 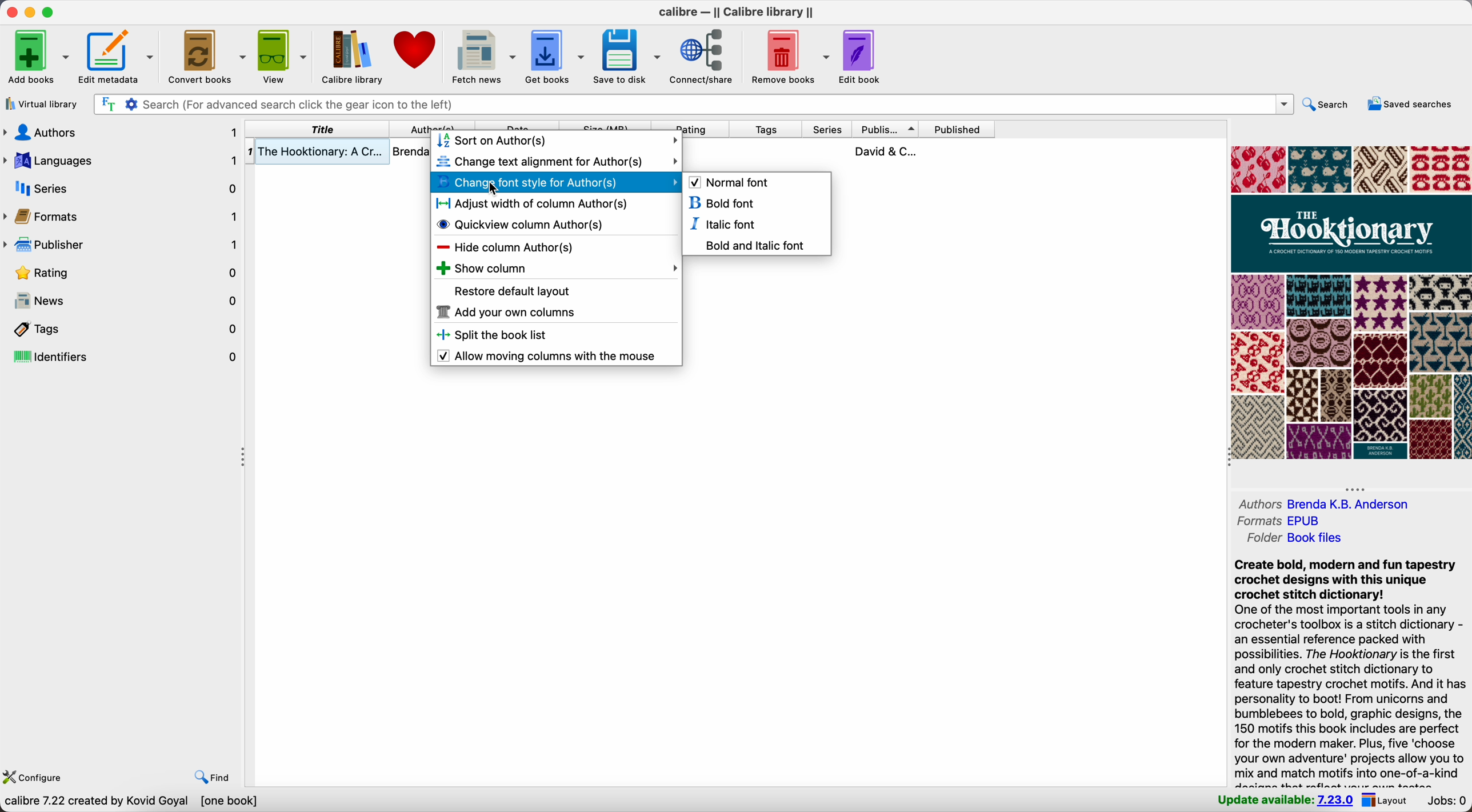 What do you see at coordinates (741, 13) in the screenshot?
I see `Calibre` at bounding box center [741, 13].